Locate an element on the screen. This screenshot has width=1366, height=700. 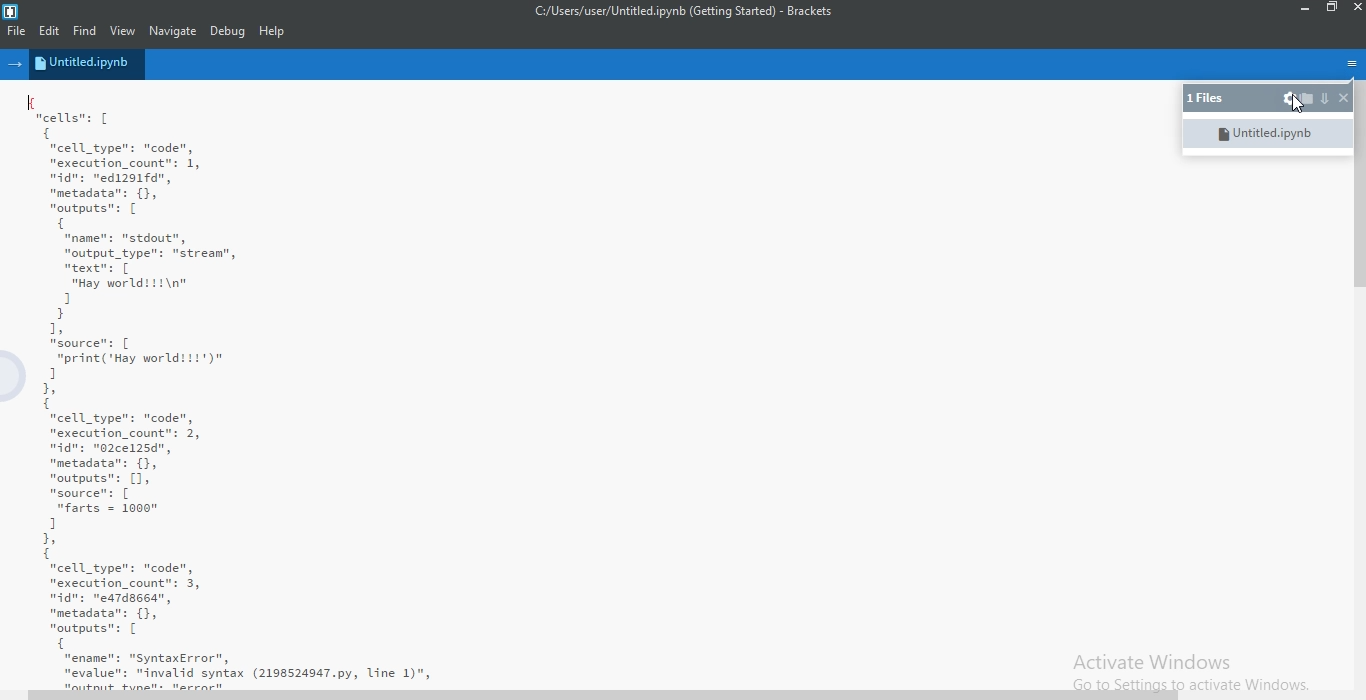
menu is located at coordinates (1349, 62).